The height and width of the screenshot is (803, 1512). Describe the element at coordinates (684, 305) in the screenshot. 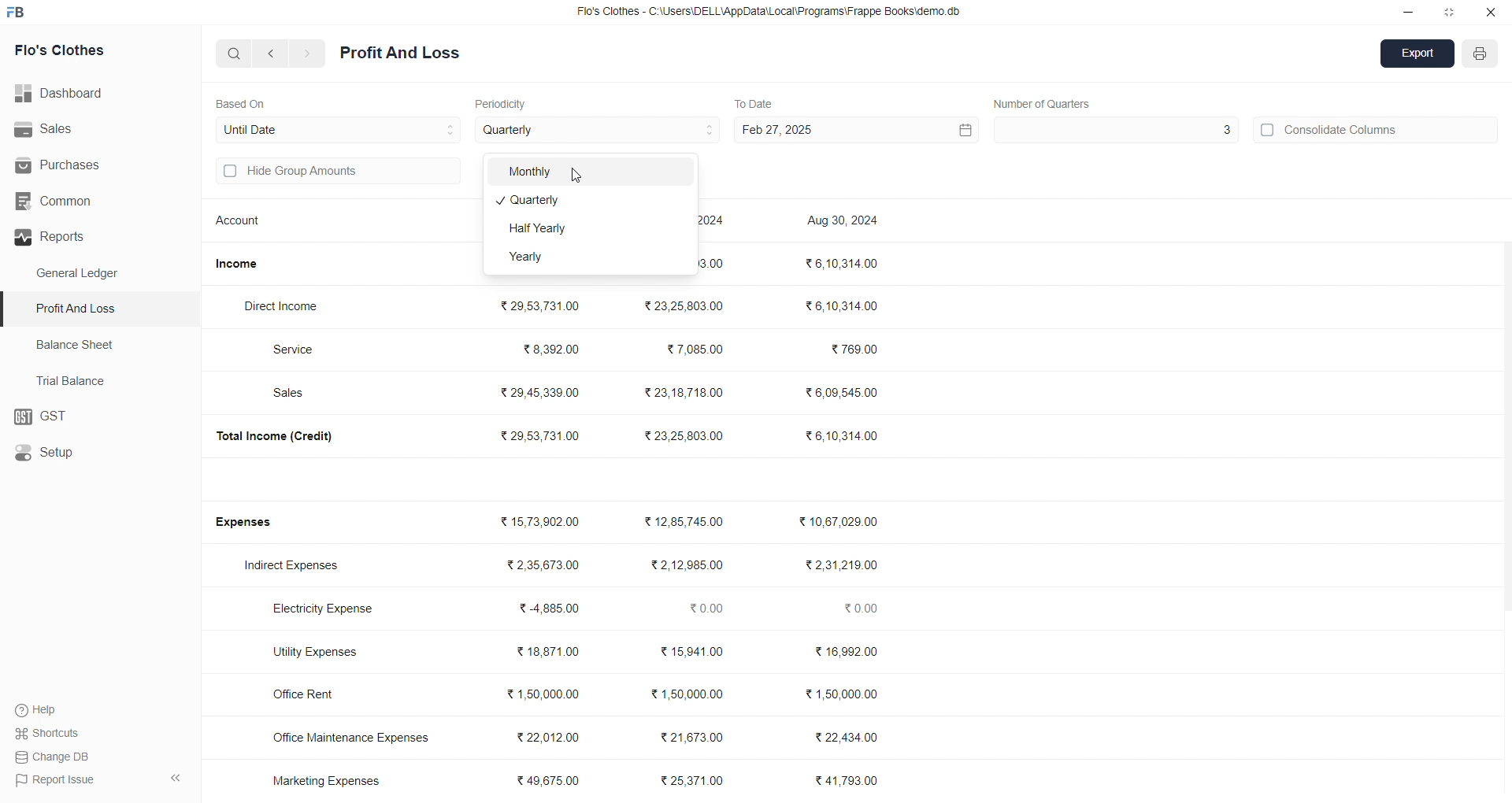

I see `₹23,25803.00` at that location.